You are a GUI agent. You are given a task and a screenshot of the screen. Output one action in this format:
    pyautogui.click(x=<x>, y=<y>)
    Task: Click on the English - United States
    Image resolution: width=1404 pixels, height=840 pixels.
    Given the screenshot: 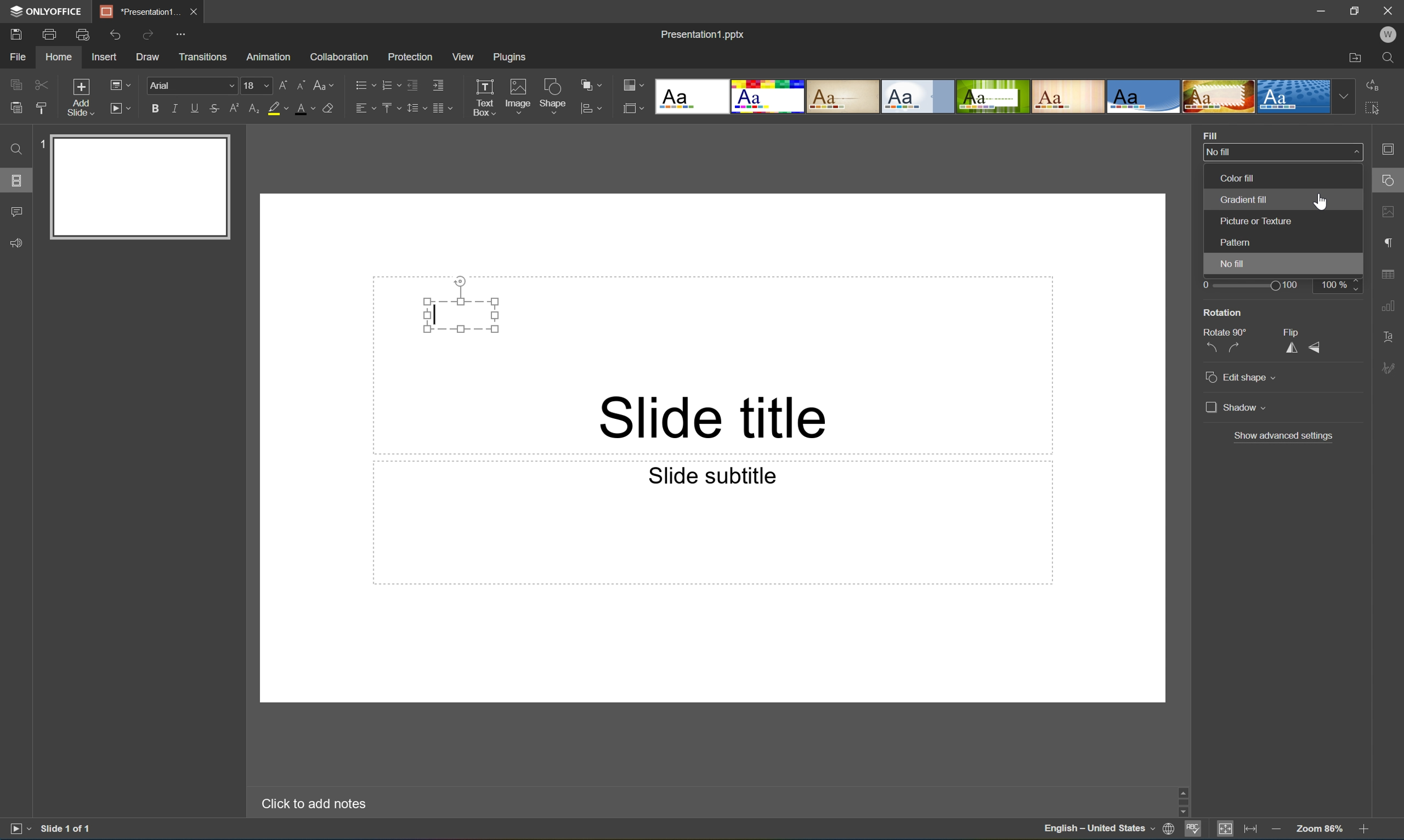 What is the action you would take?
    pyautogui.click(x=1099, y=830)
    